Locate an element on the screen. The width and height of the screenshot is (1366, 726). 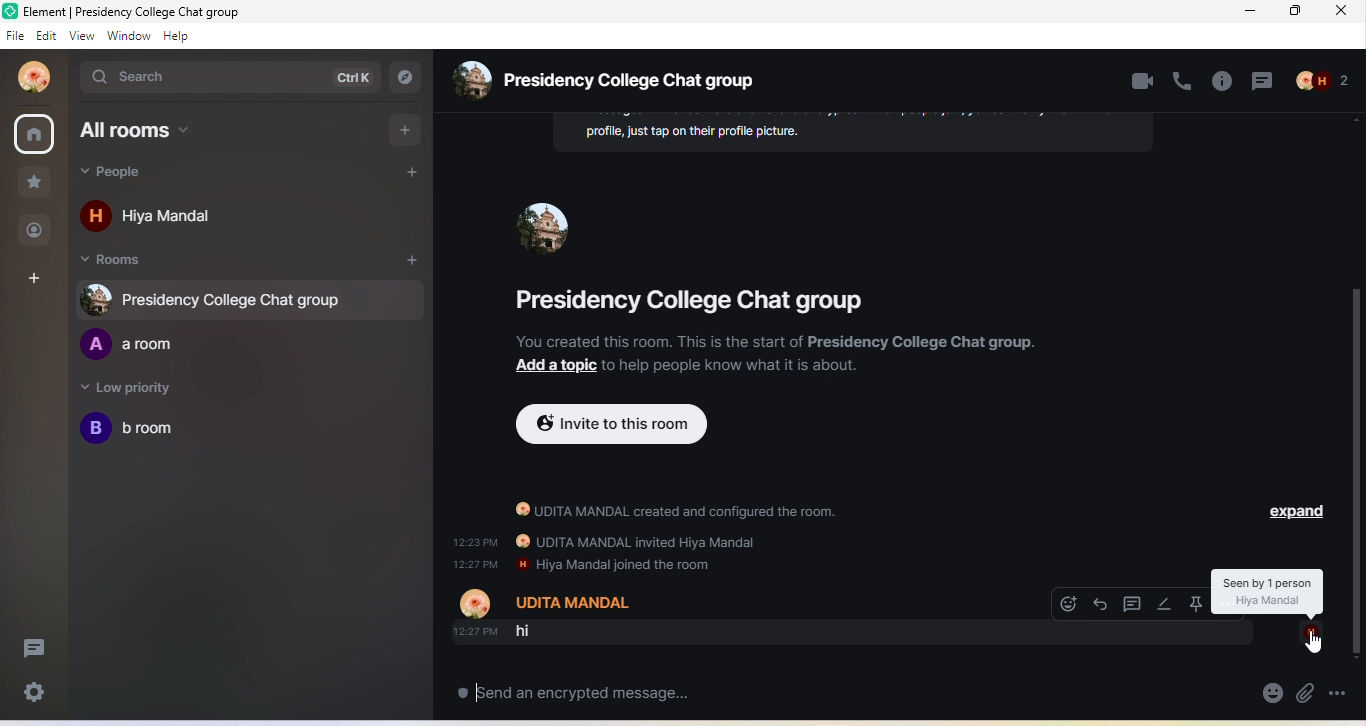
add is located at coordinates (407, 130).